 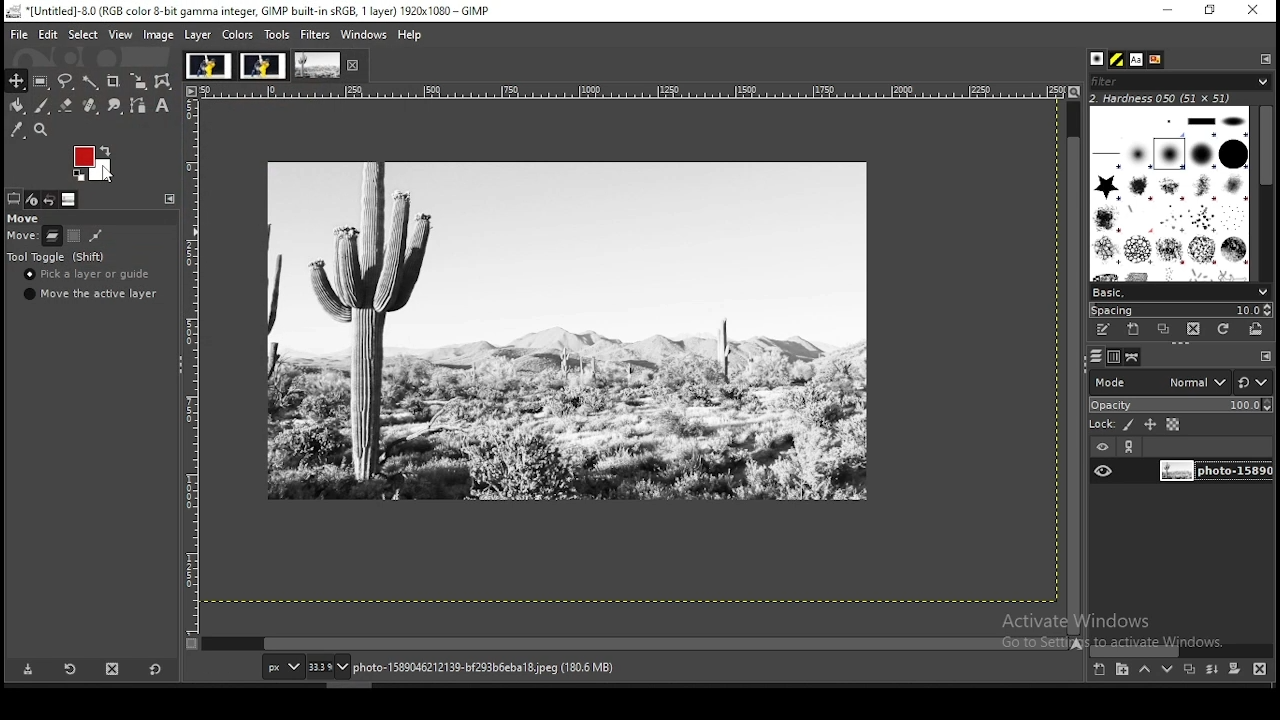 What do you see at coordinates (84, 35) in the screenshot?
I see `select` at bounding box center [84, 35].